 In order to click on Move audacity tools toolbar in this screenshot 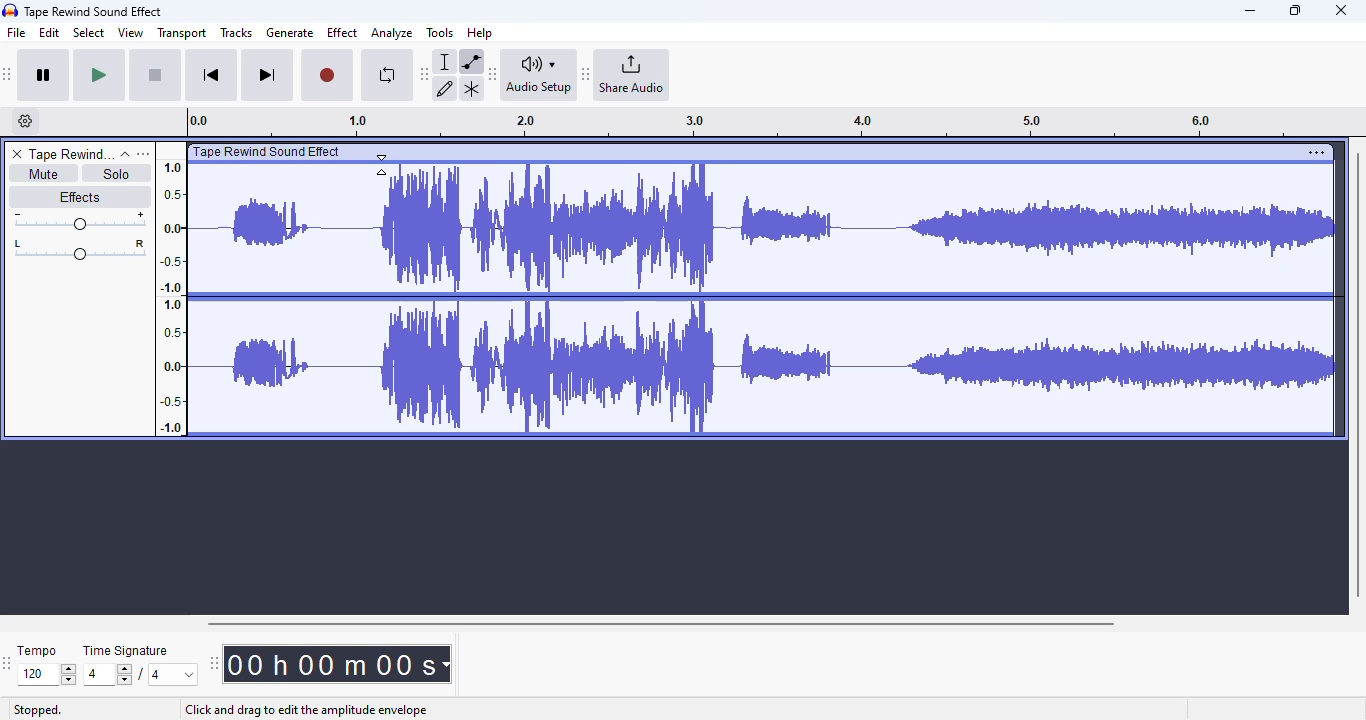, I will do `click(425, 73)`.